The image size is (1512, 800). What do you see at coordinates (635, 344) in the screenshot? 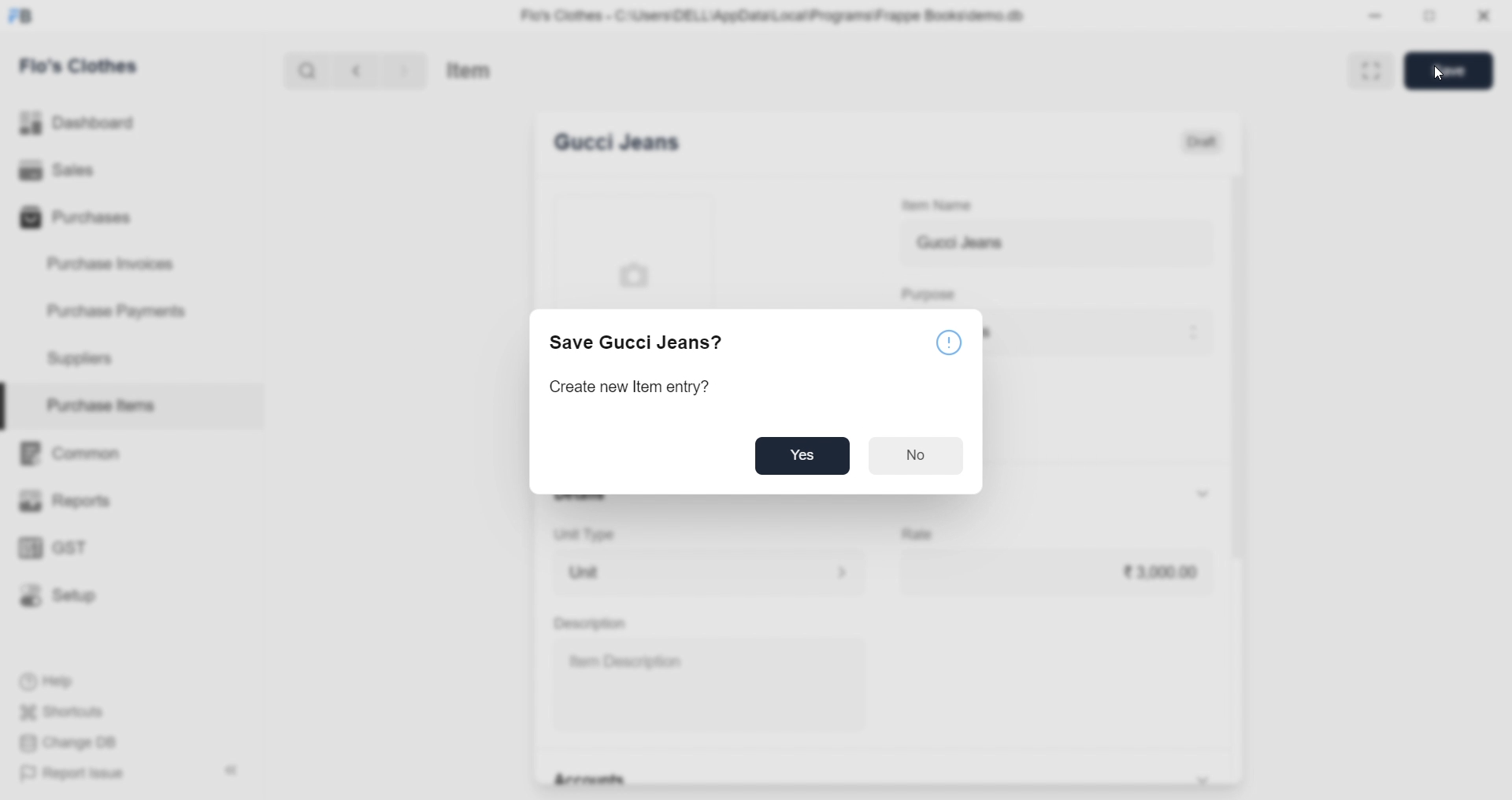
I see `Save Gucci Jeans?` at bounding box center [635, 344].